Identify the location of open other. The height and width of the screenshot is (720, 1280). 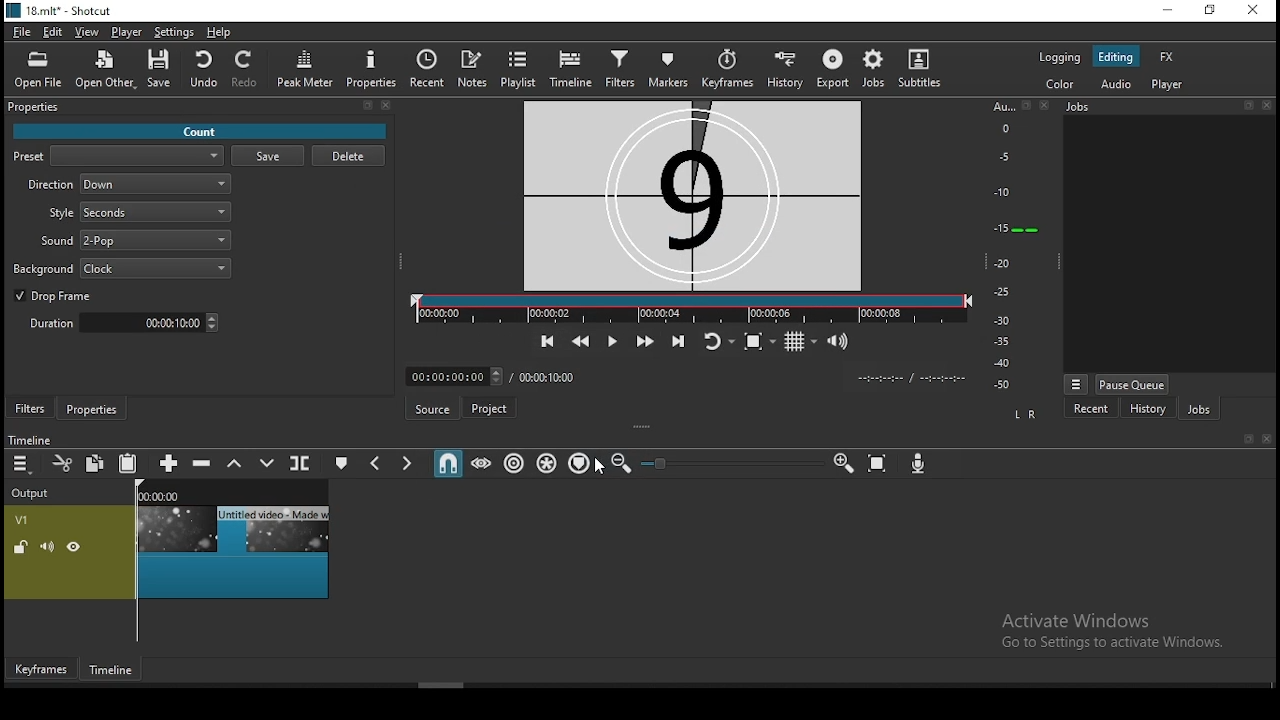
(104, 67).